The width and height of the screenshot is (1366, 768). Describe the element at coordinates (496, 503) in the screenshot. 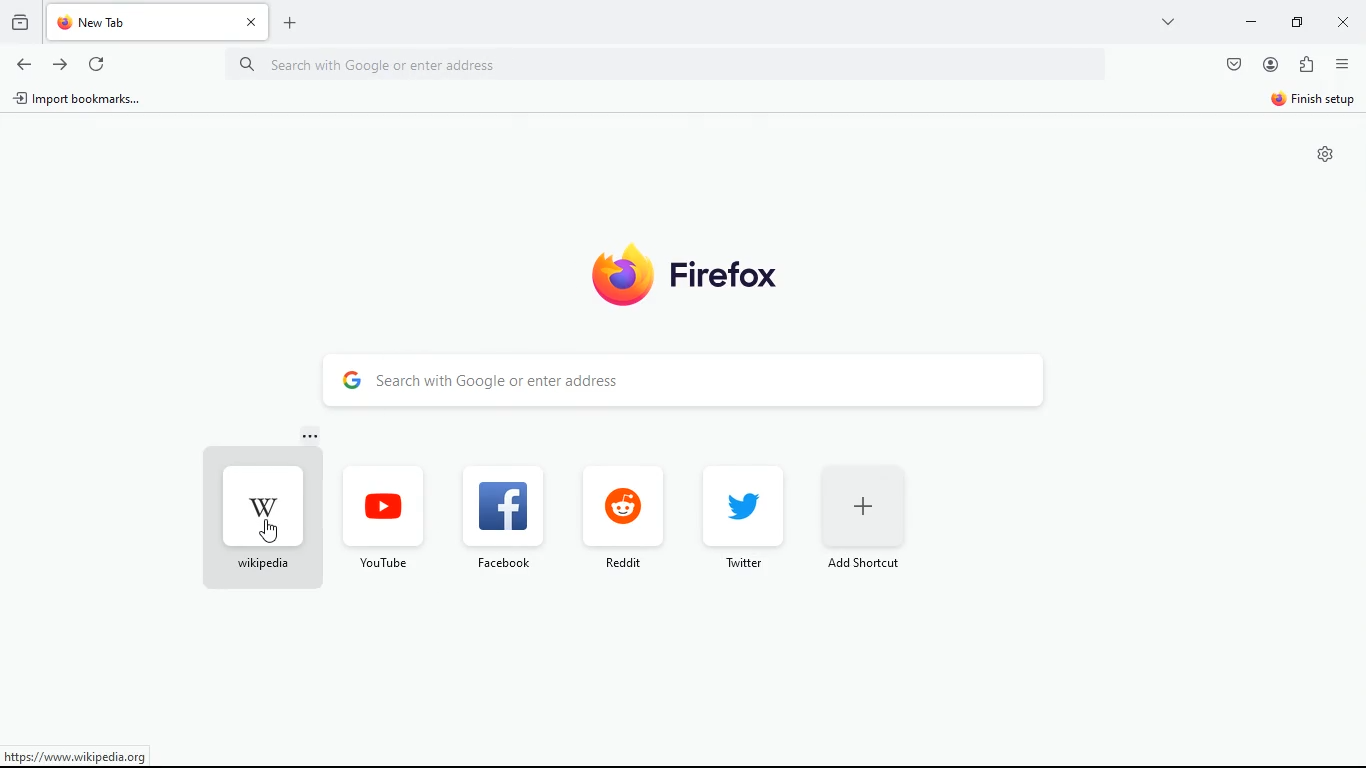

I see `facebook logo` at that location.